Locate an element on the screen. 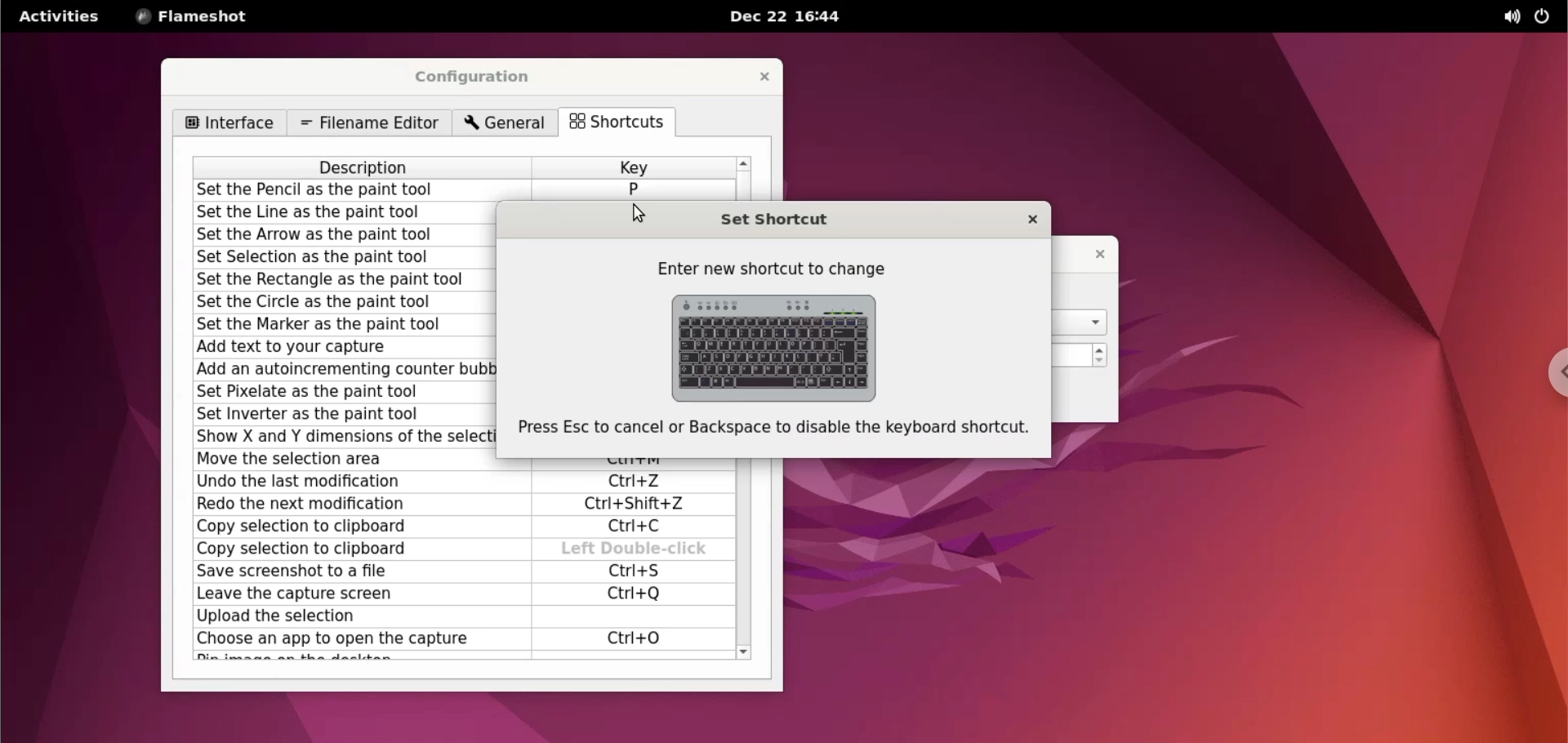  set the rectangle as the paint tool is located at coordinates (341, 280).